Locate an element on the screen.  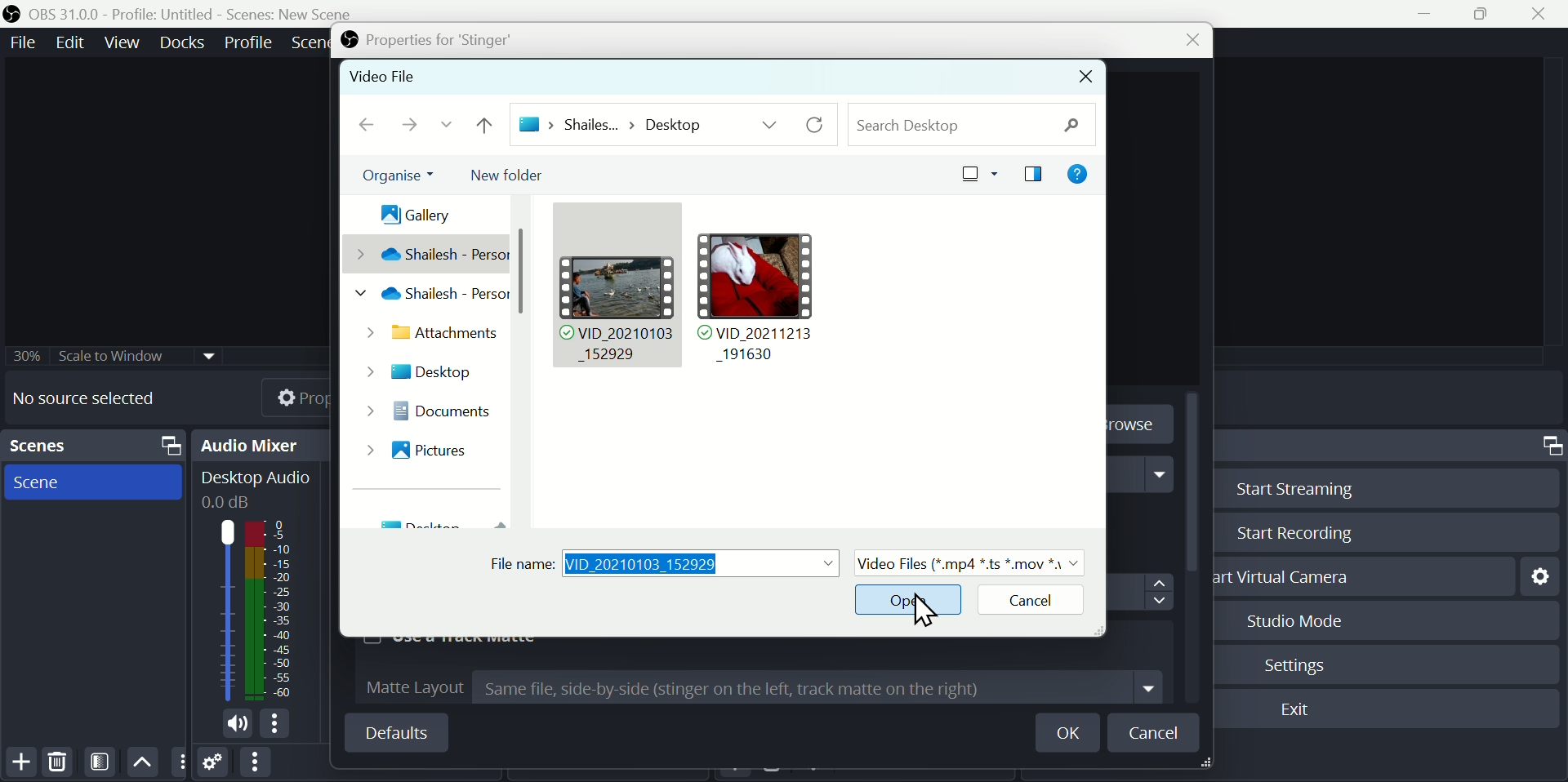
O K is located at coordinates (1073, 733).